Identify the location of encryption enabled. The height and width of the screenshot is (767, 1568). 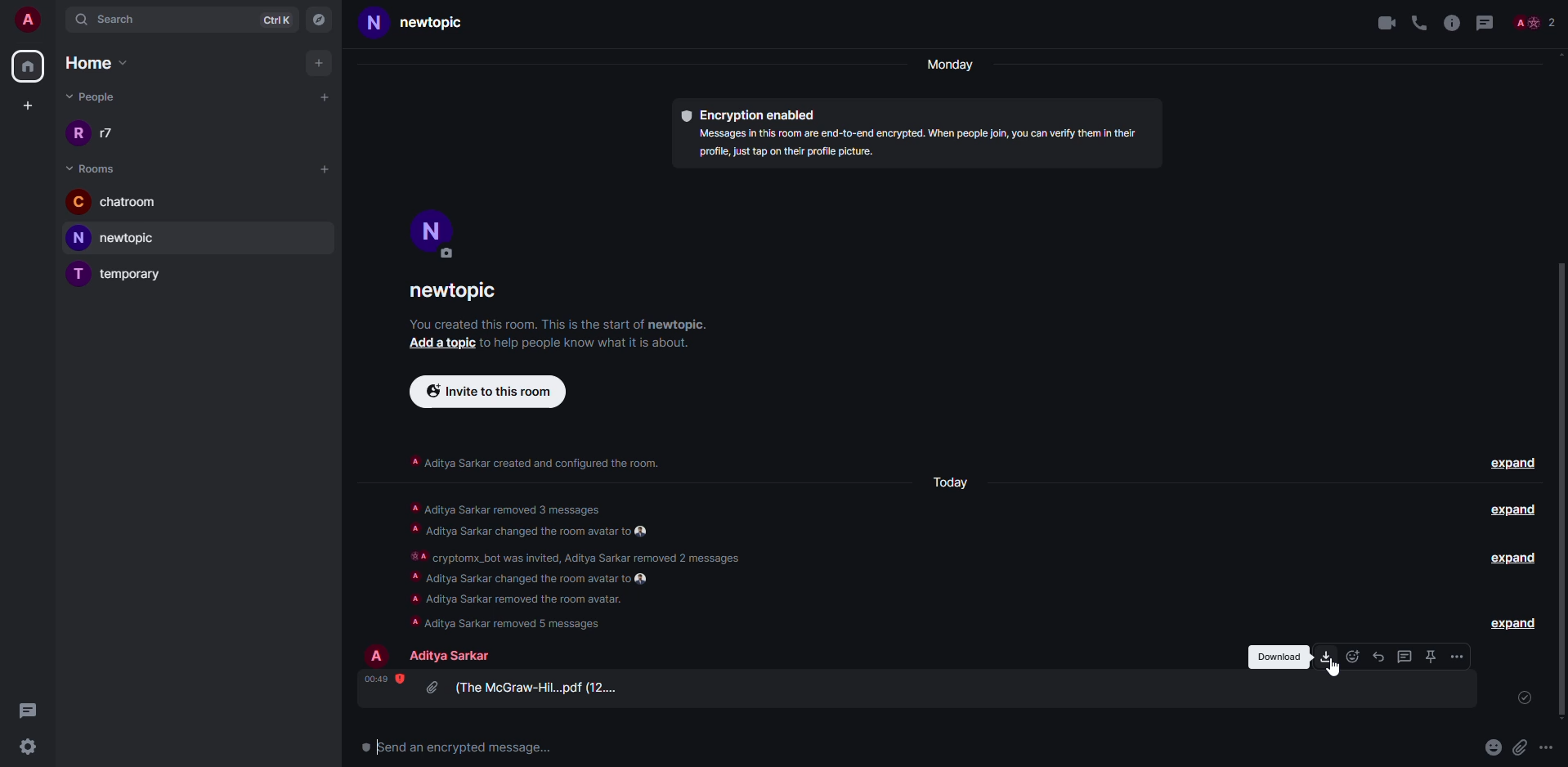
(755, 112).